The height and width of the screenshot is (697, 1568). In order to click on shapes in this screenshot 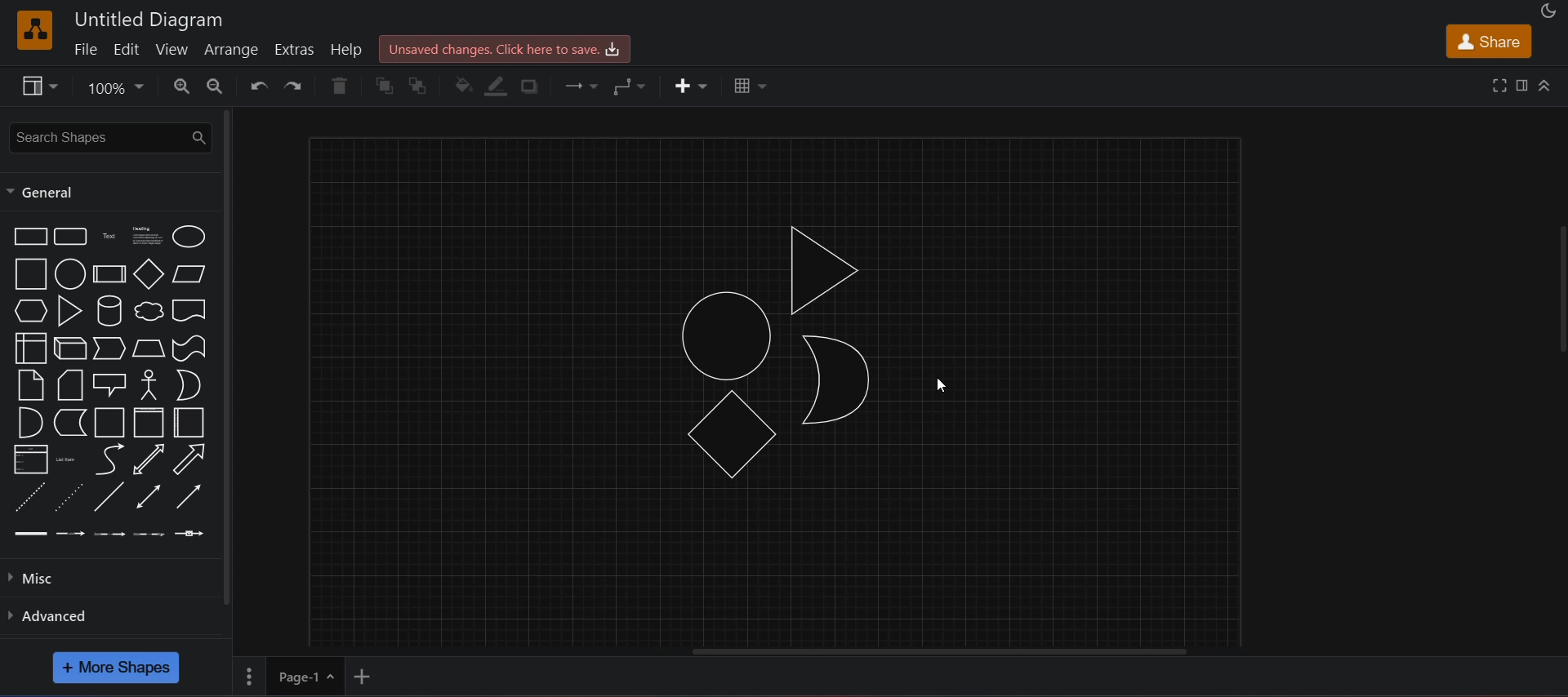, I will do `click(784, 356)`.